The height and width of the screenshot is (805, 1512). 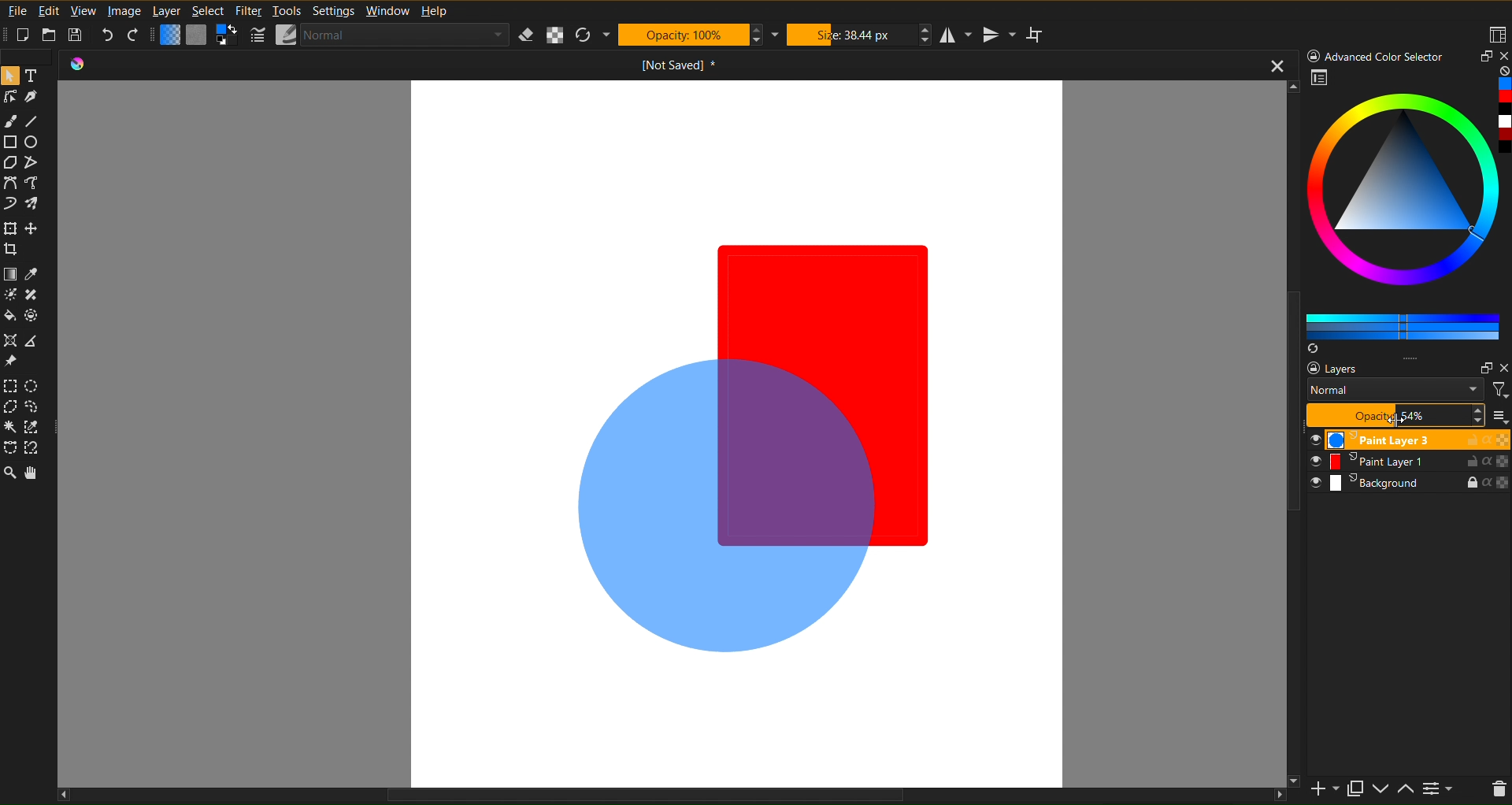 What do you see at coordinates (38, 75) in the screenshot?
I see `Text` at bounding box center [38, 75].